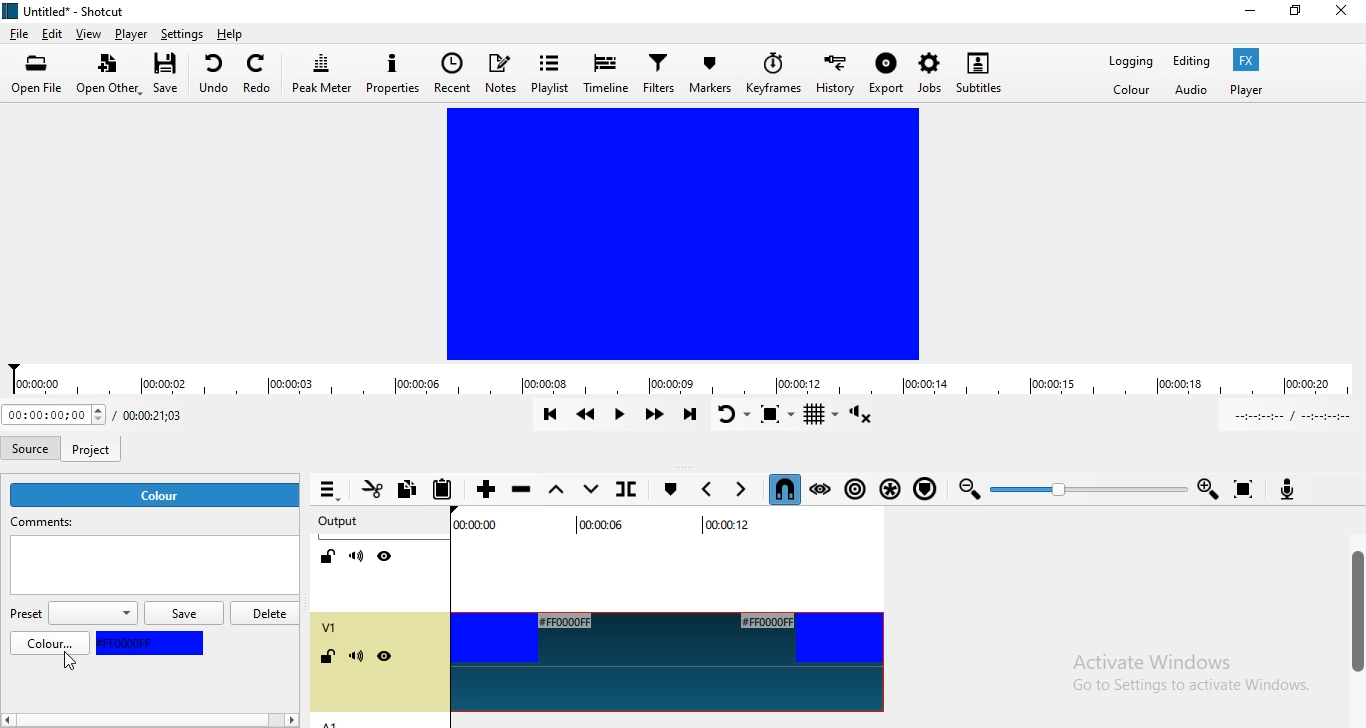 Image resolution: width=1366 pixels, height=728 pixels. Describe the element at coordinates (660, 563) in the screenshot. I see `Video track` at that location.